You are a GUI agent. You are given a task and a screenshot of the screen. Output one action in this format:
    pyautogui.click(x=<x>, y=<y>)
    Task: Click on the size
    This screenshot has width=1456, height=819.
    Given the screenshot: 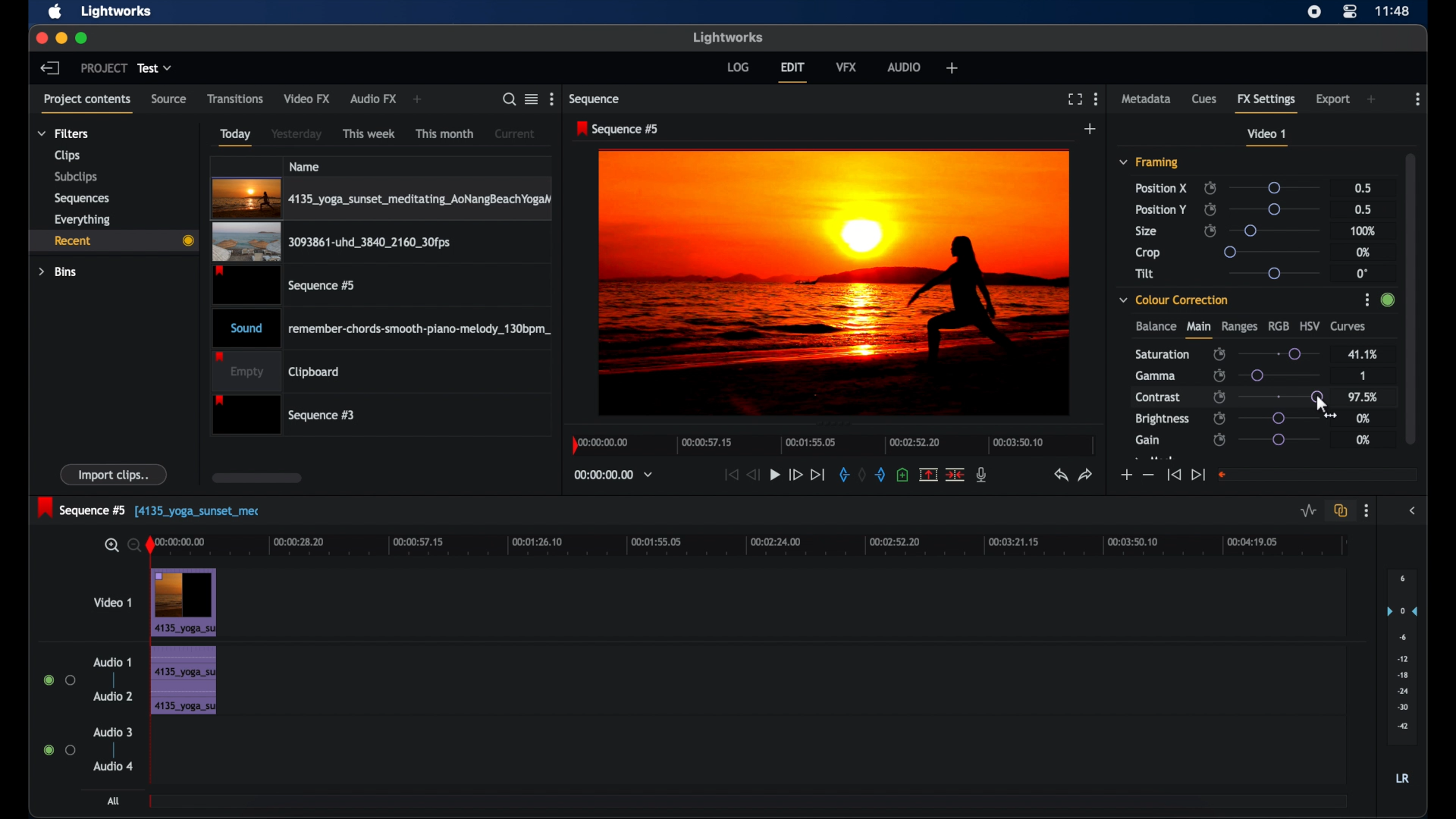 What is the action you would take?
    pyautogui.click(x=1147, y=232)
    